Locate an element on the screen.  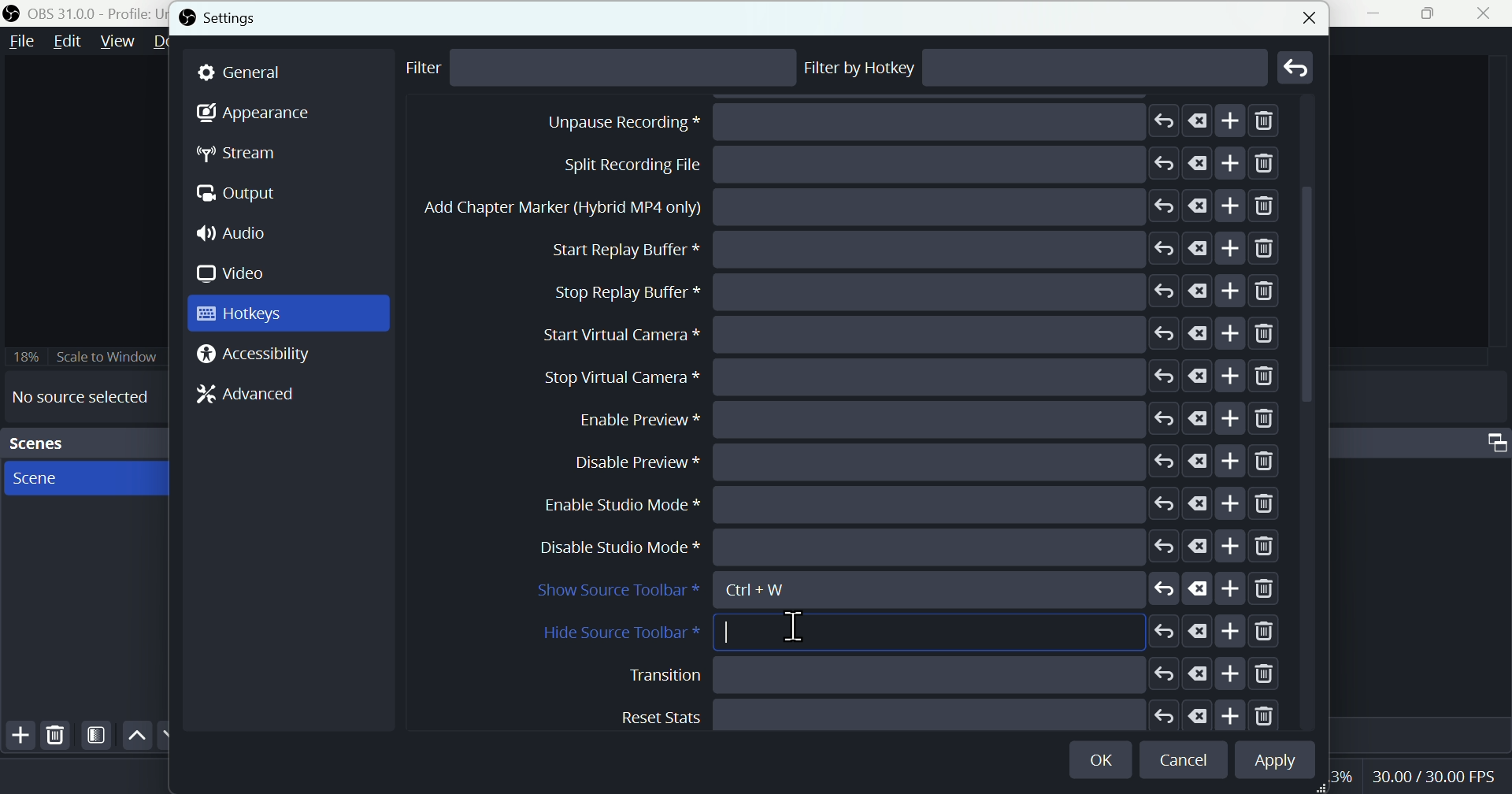
Filter is located at coordinates (435, 69).